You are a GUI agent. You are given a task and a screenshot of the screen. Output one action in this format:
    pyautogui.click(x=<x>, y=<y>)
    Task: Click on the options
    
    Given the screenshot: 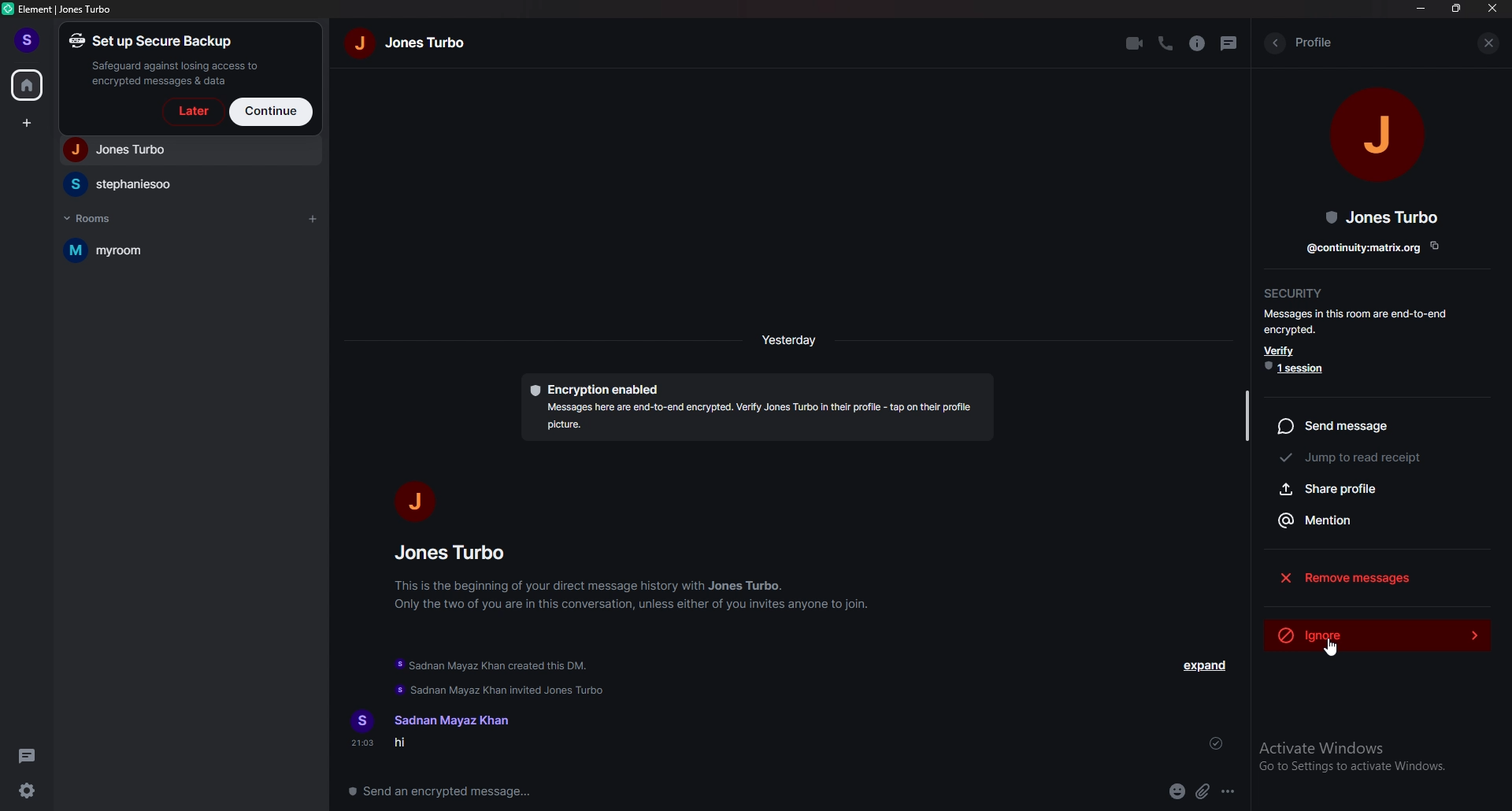 What is the action you would take?
    pyautogui.click(x=1229, y=792)
    